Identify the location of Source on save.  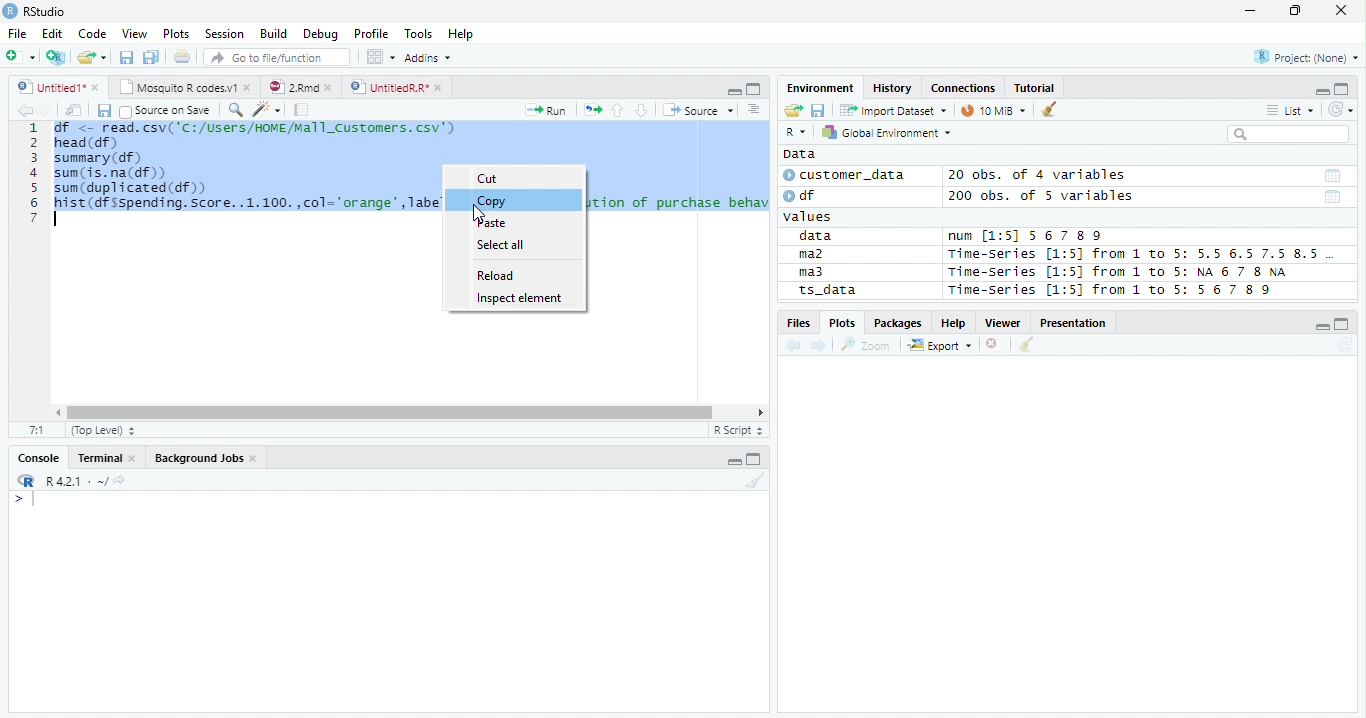
(166, 111).